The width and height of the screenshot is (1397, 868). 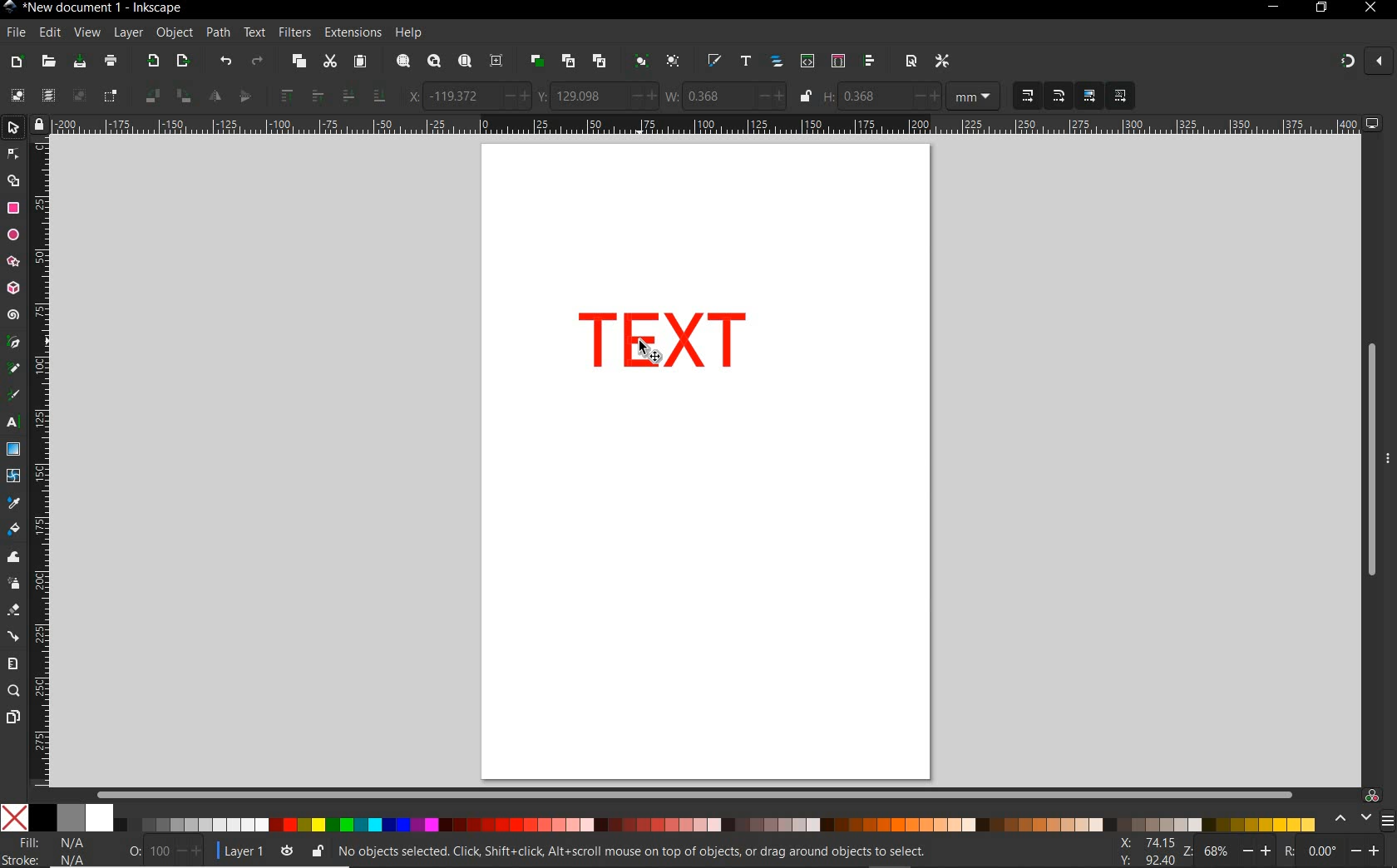 I want to click on LOCK OR UNLOCK CURRENT LAYER, so click(x=317, y=853).